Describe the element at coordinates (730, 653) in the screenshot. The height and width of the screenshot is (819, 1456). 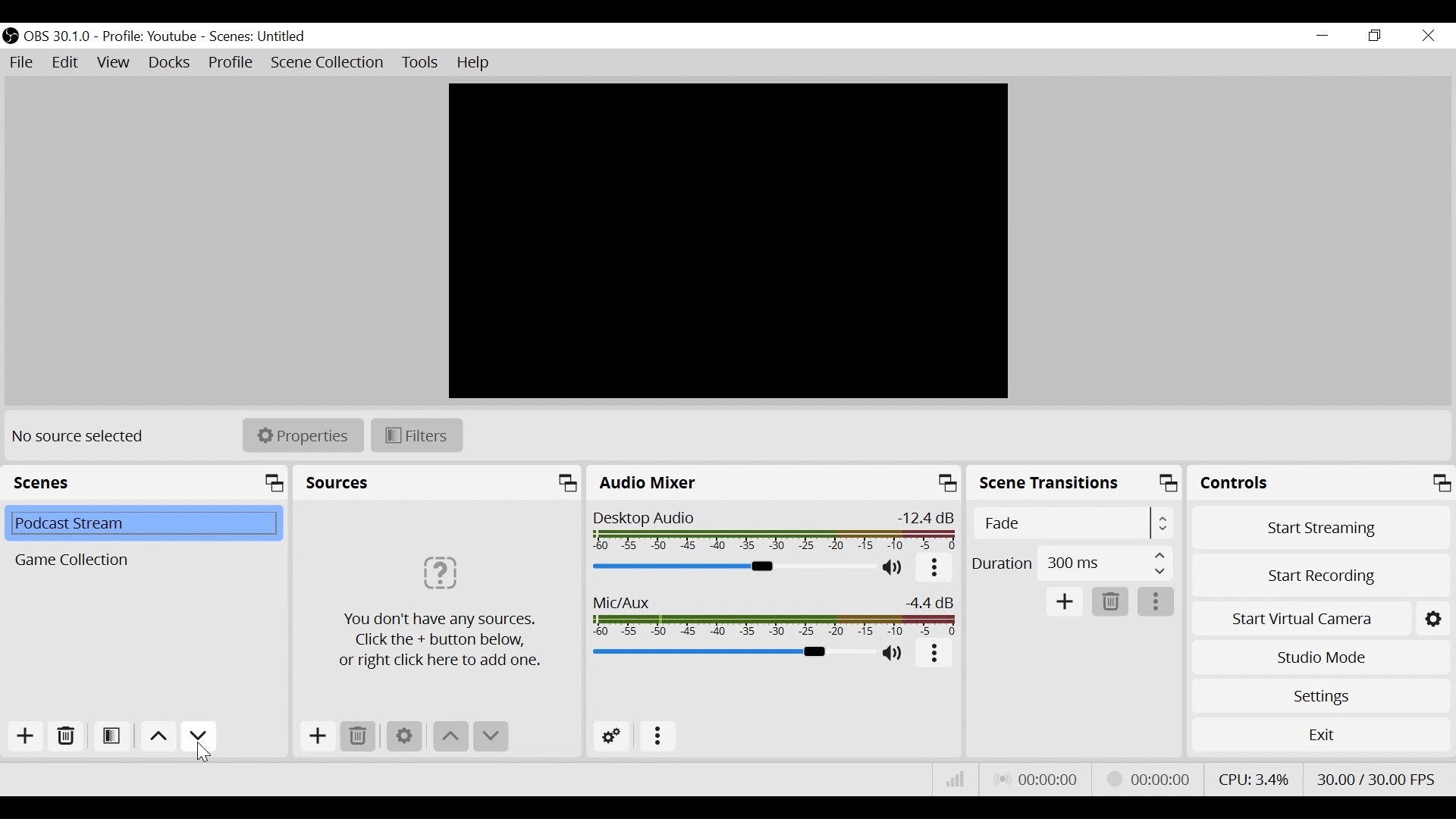
I see `Mic/Aux` at that location.